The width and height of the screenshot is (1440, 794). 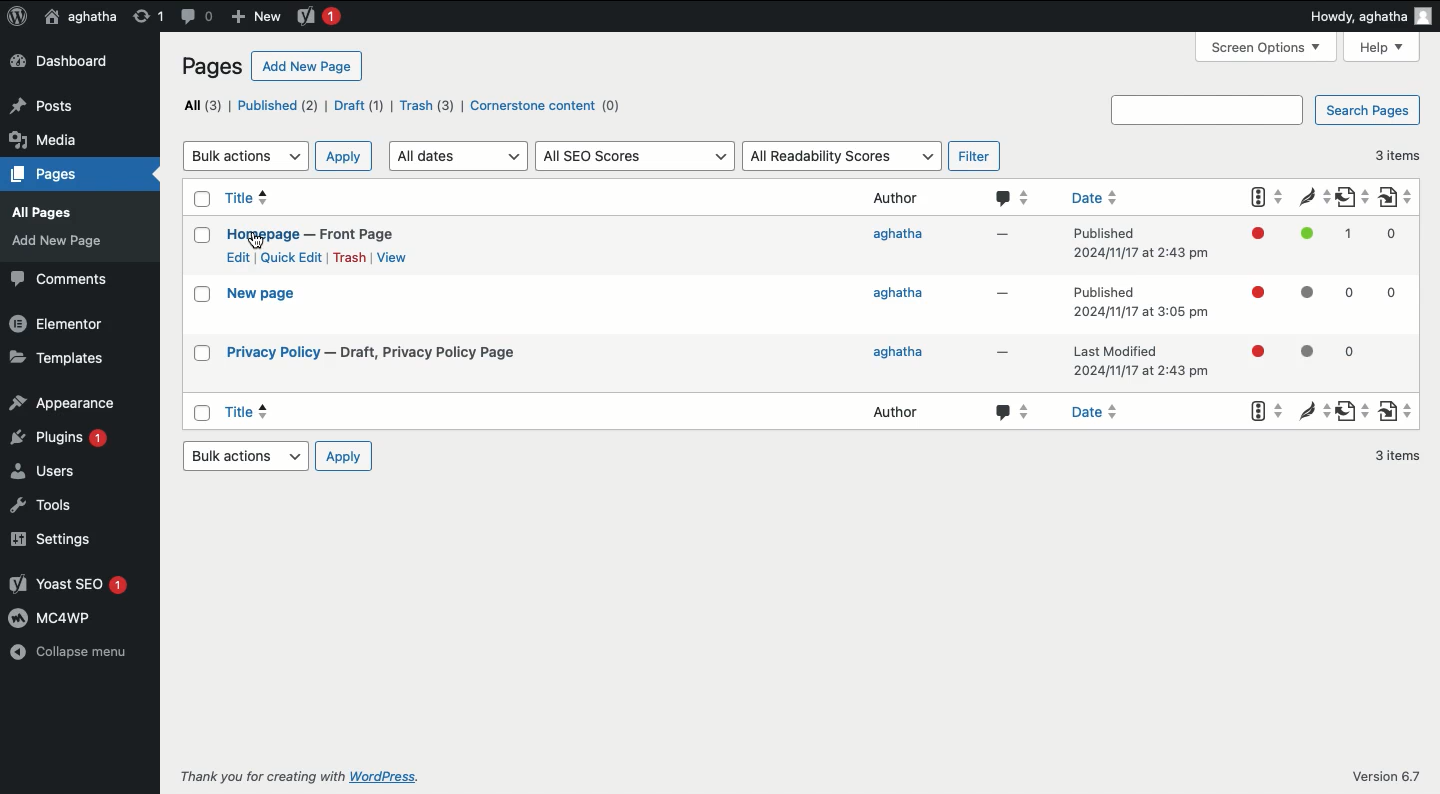 What do you see at coordinates (1387, 777) in the screenshot?
I see `Version 6.7` at bounding box center [1387, 777].